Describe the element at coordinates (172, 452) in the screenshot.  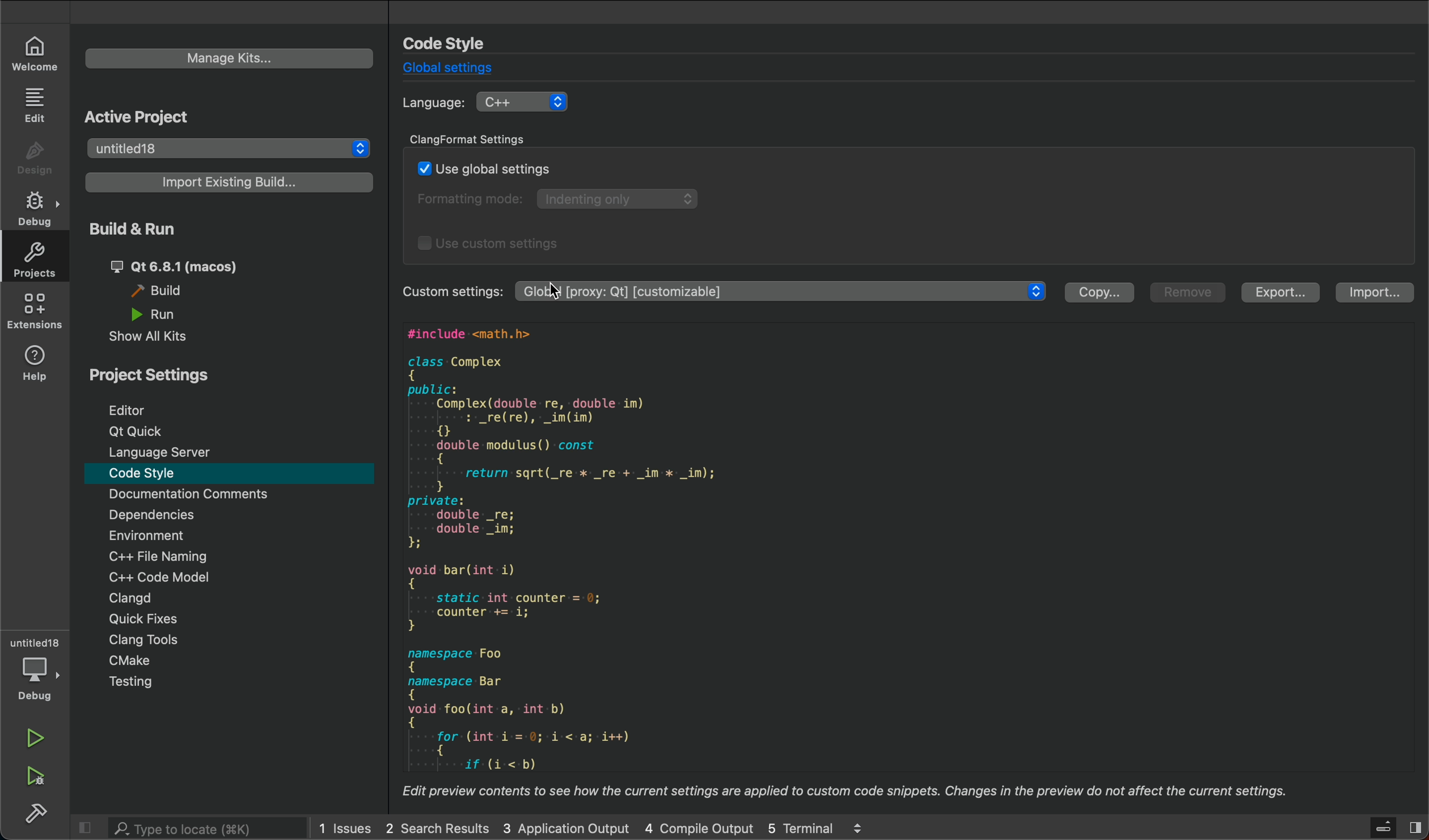
I see `language` at that location.